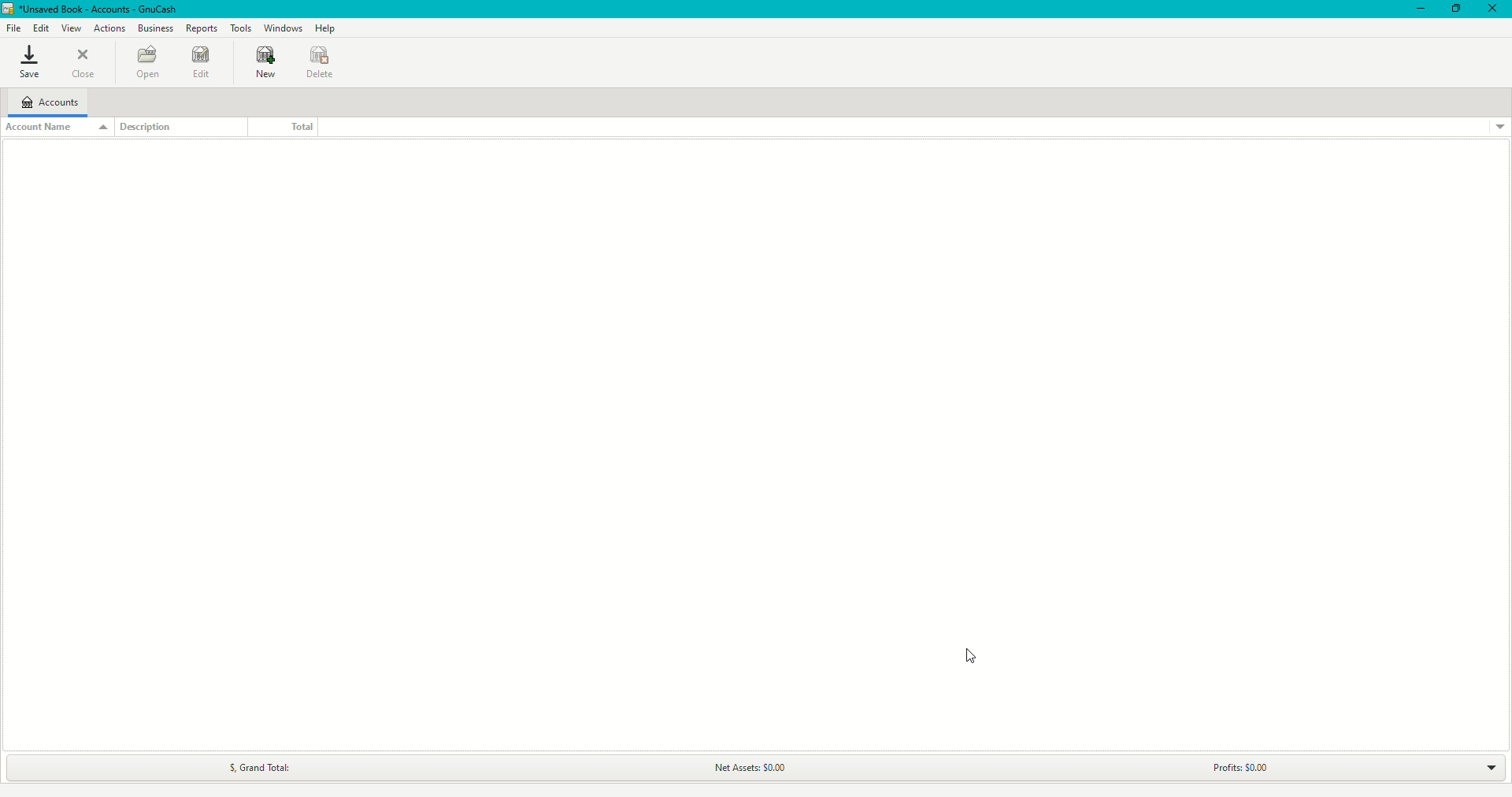  What do you see at coordinates (154, 128) in the screenshot?
I see `Description` at bounding box center [154, 128].